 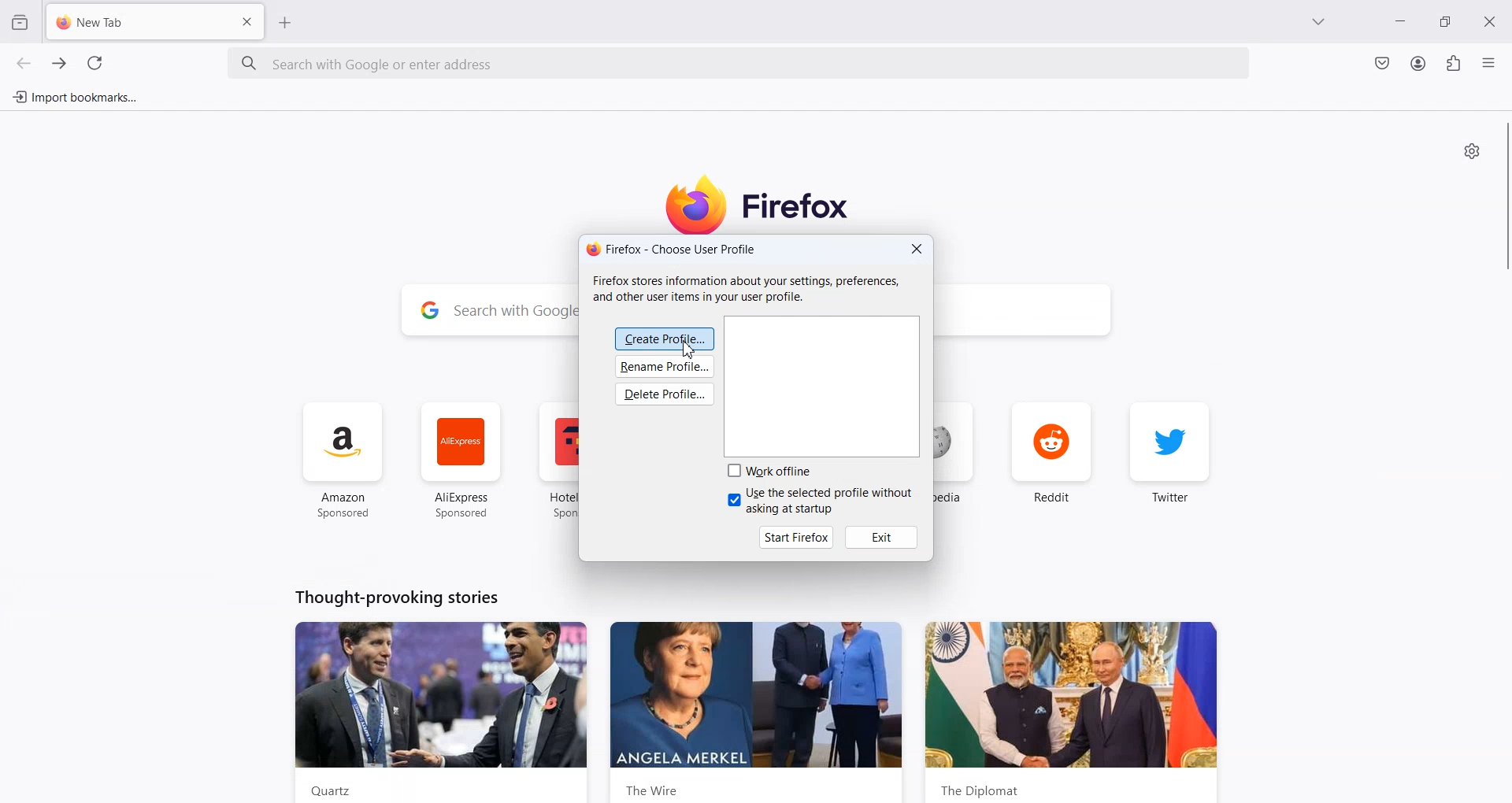 What do you see at coordinates (917, 250) in the screenshot?
I see `Close` at bounding box center [917, 250].